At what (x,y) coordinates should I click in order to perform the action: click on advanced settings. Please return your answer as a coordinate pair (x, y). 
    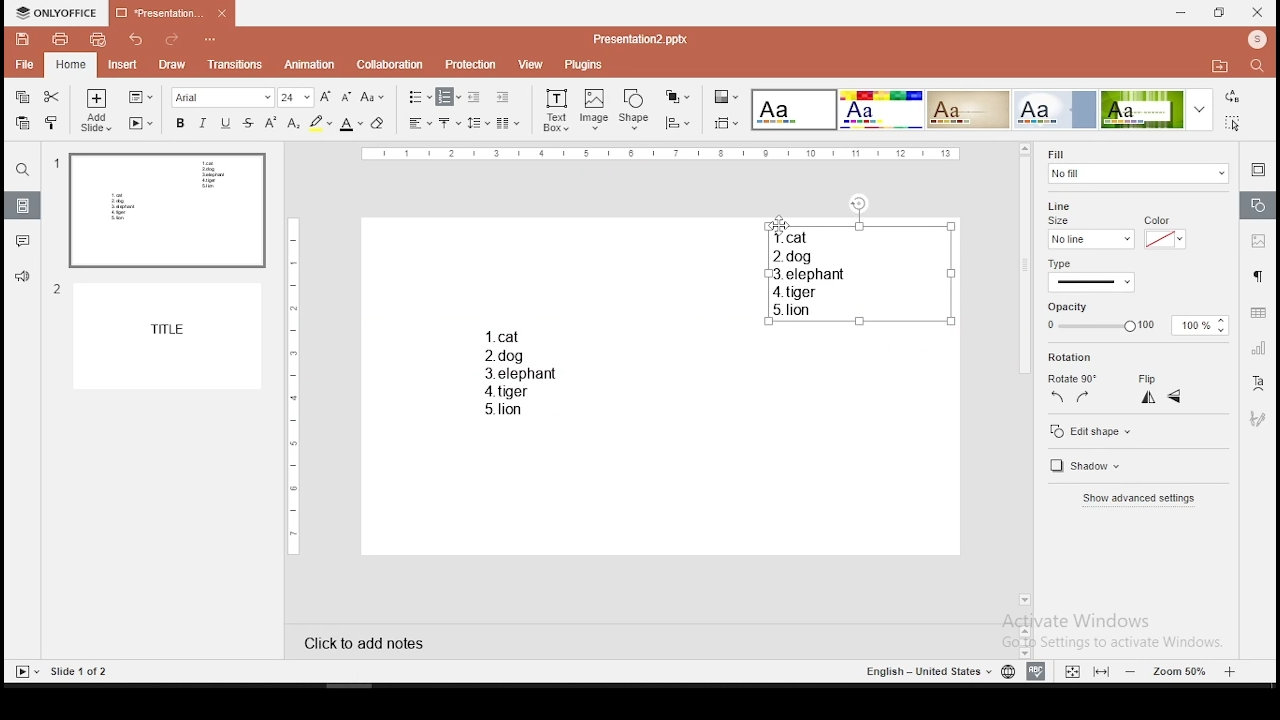
    Looking at the image, I should click on (1144, 499).